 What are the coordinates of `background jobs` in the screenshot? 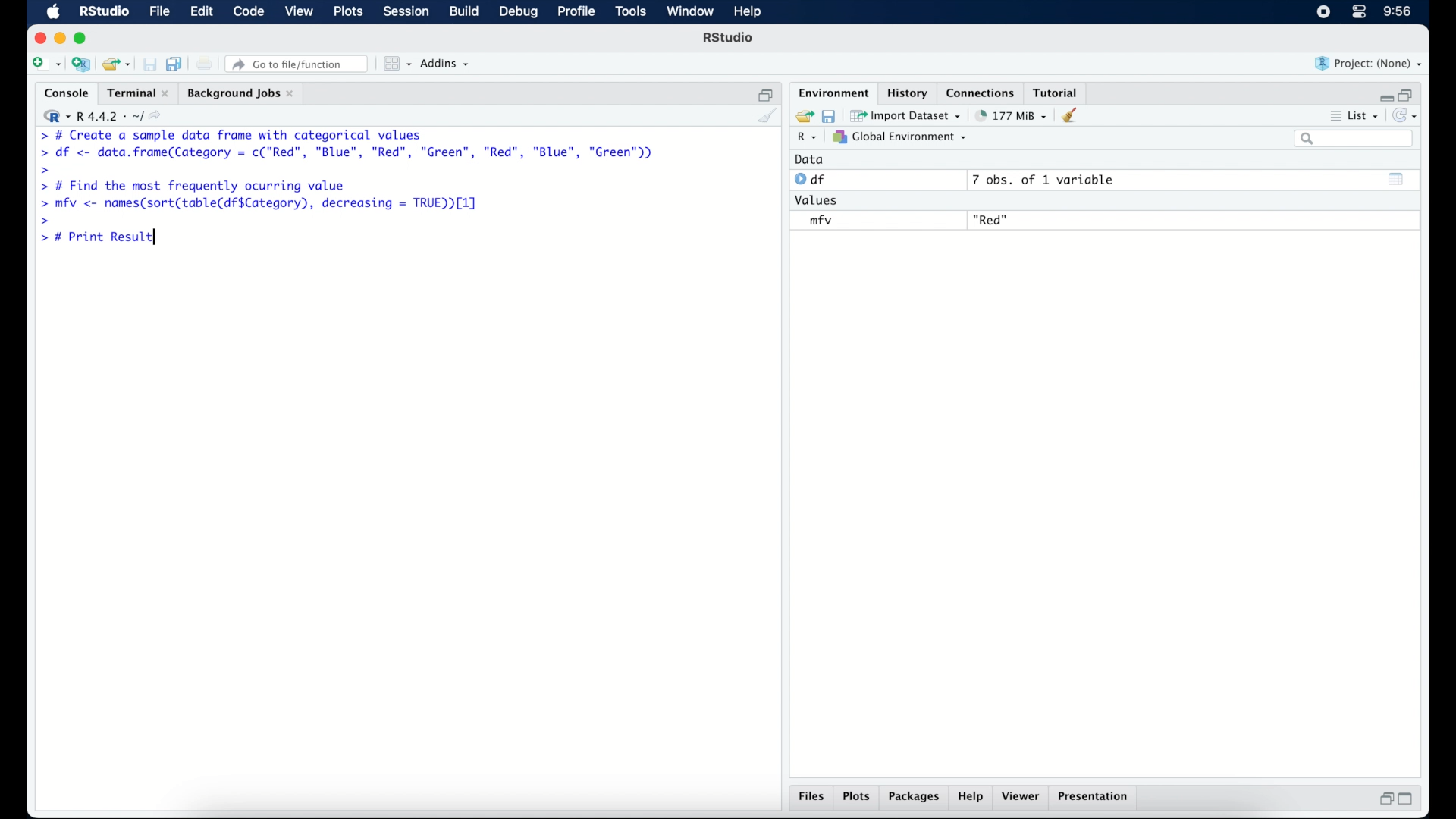 It's located at (243, 93).